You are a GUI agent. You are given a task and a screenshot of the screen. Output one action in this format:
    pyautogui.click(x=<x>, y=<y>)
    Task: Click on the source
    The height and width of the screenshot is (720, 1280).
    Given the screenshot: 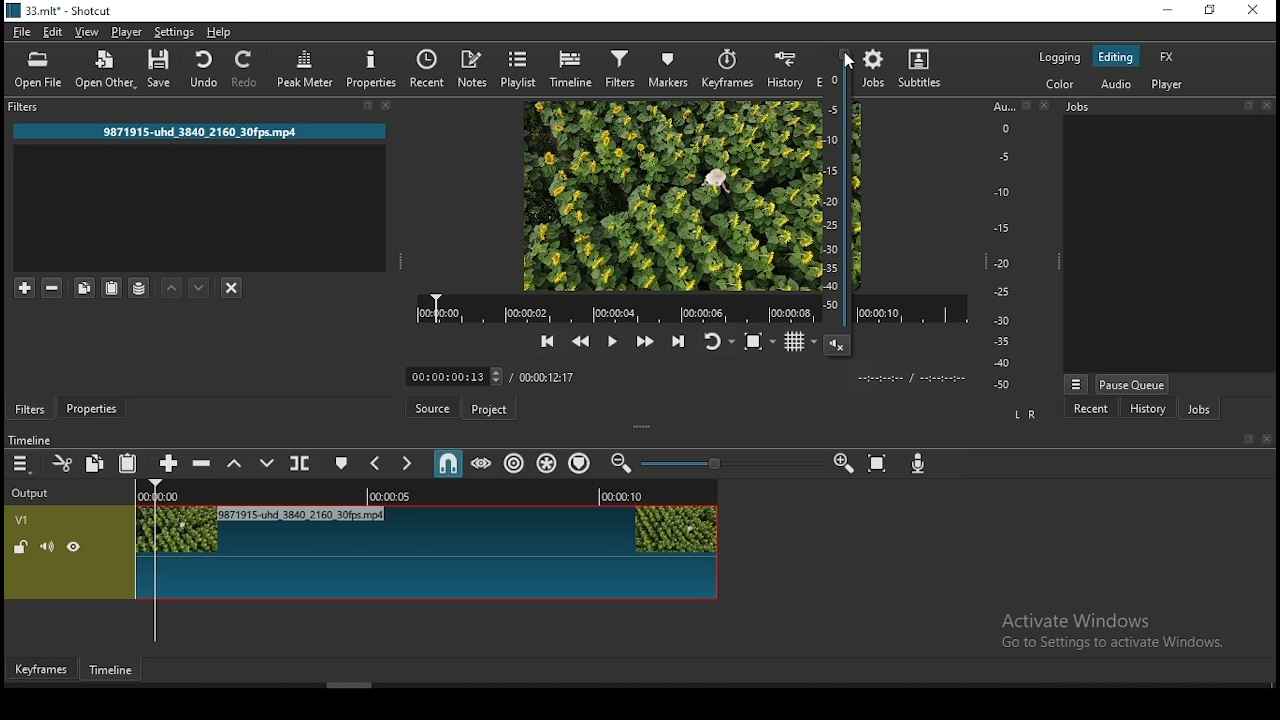 What is the action you would take?
    pyautogui.click(x=437, y=409)
    